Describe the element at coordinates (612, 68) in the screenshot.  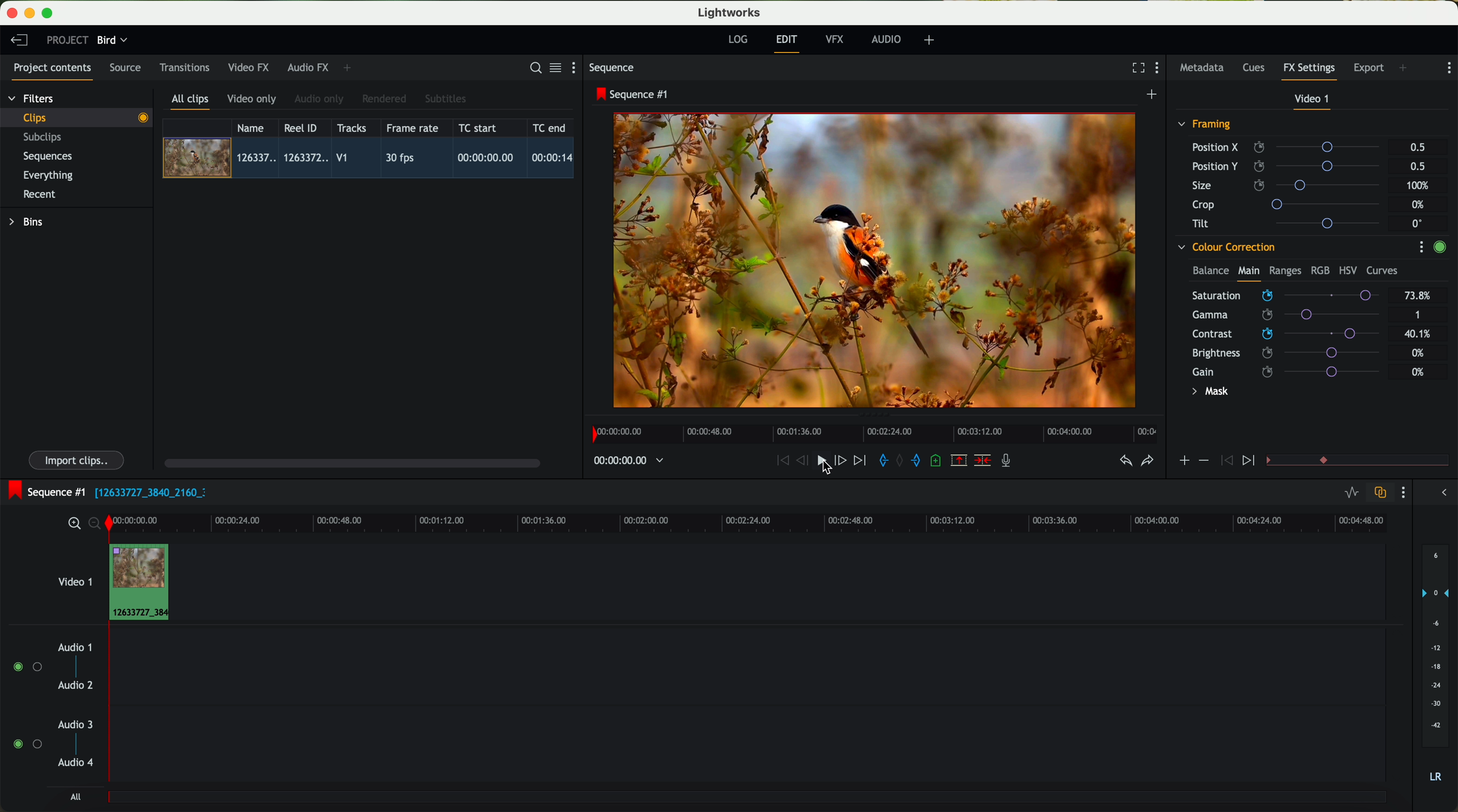
I see `sequence` at that location.